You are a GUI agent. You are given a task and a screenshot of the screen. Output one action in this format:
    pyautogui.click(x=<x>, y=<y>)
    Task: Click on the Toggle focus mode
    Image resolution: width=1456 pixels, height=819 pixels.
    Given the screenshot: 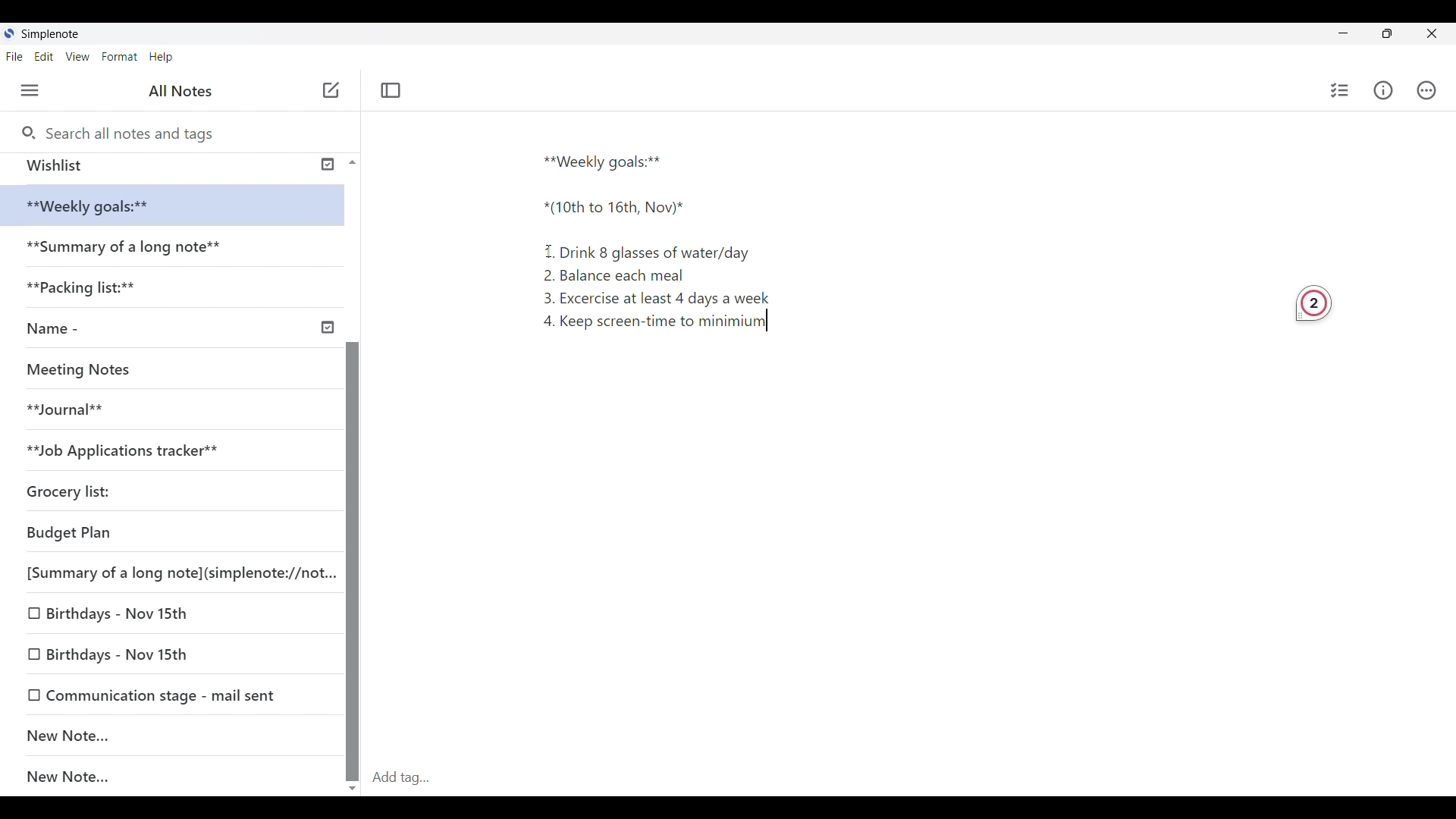 What is the action you would take?
    pyautogui.click(x=393, y=89)
    